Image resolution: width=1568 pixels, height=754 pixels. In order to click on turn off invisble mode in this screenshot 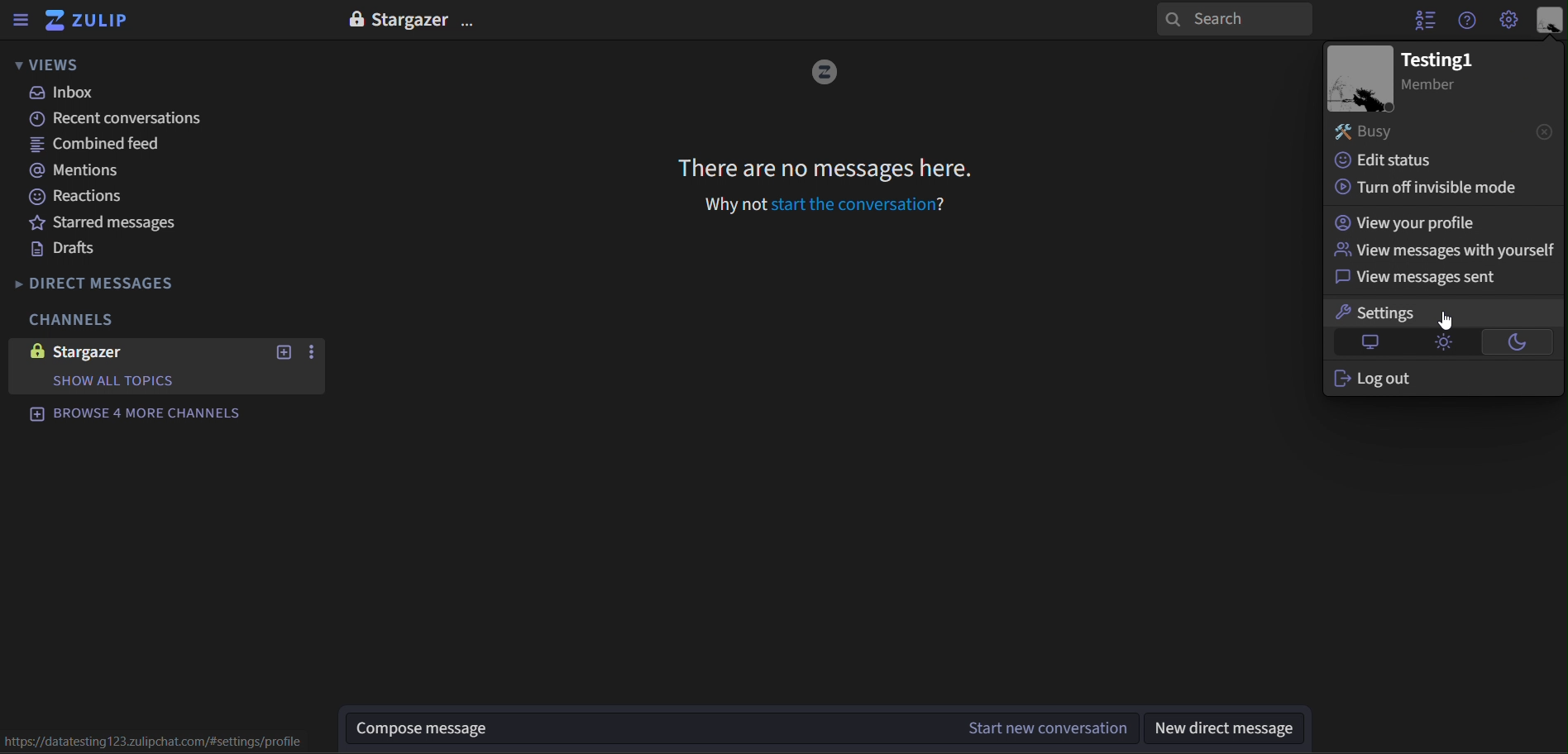, I will do `click(1425, 185)`.